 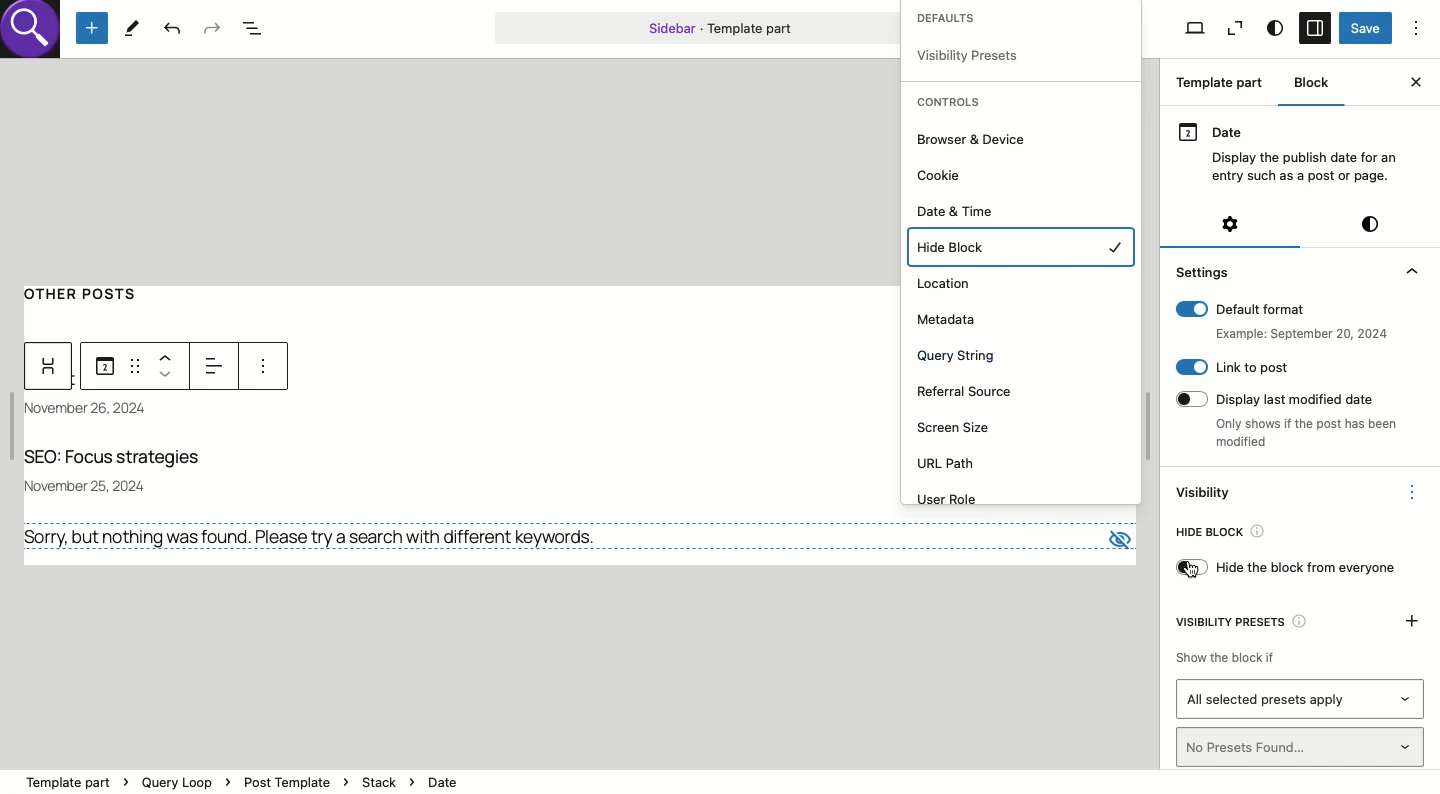 I want to click on Template part, so click(x=697, y=27).